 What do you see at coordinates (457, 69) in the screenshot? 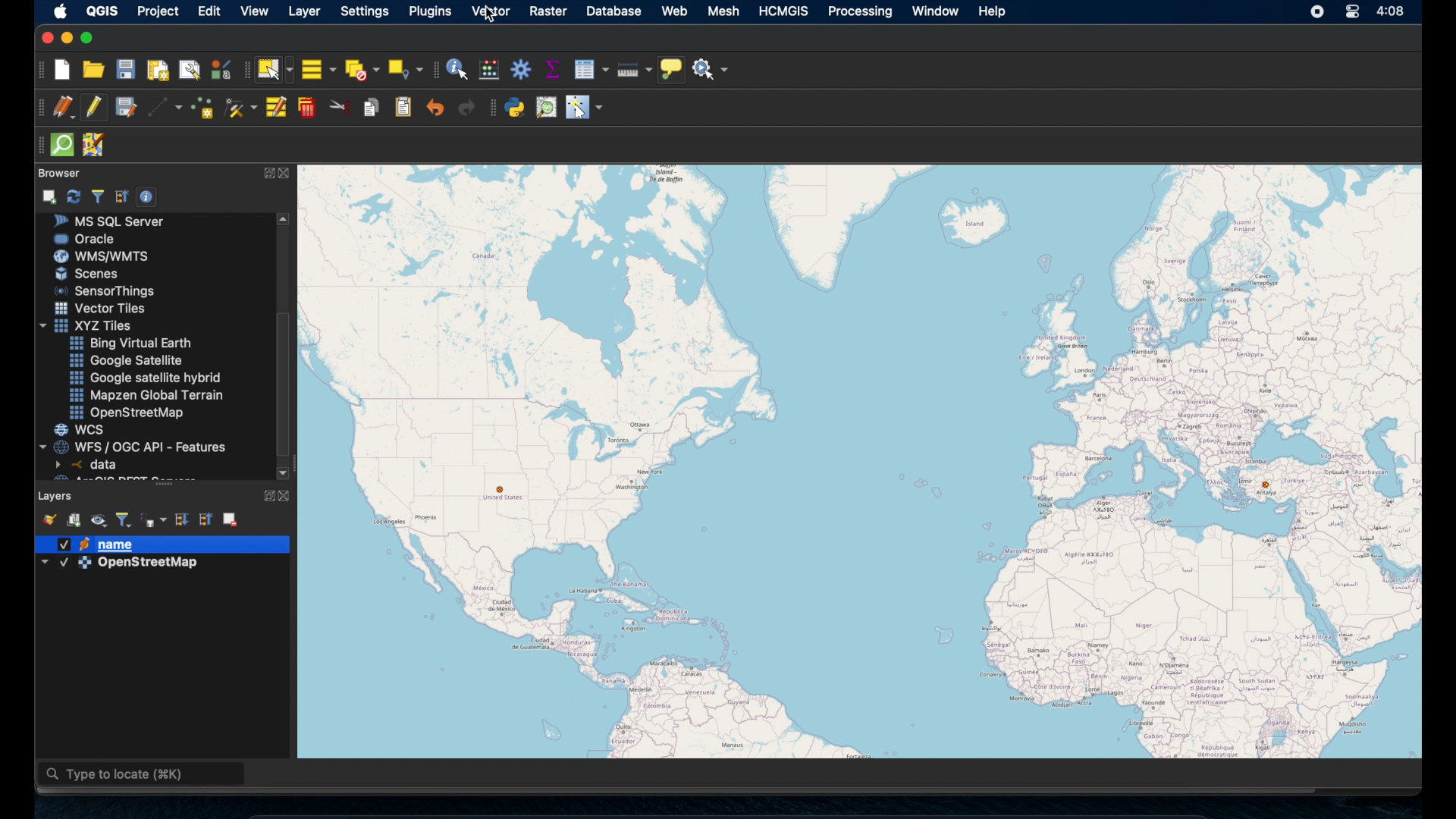
I see `identify features` at bounding box center [457, 69].